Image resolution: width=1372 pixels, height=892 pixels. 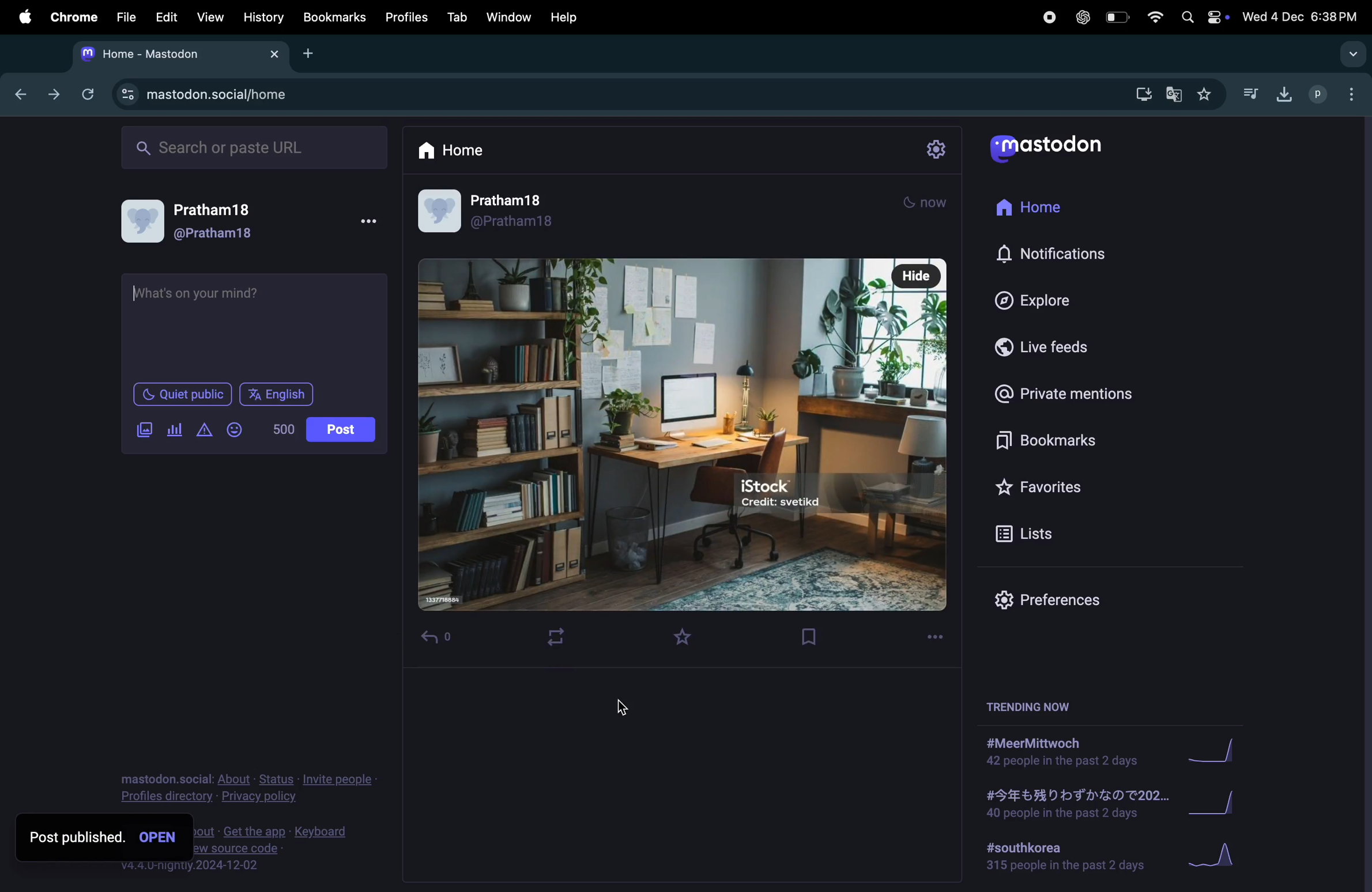 What do you see at coordinates (232, 430) in the screenshot?
I see `Emoji` at bounding box center [232, 430].